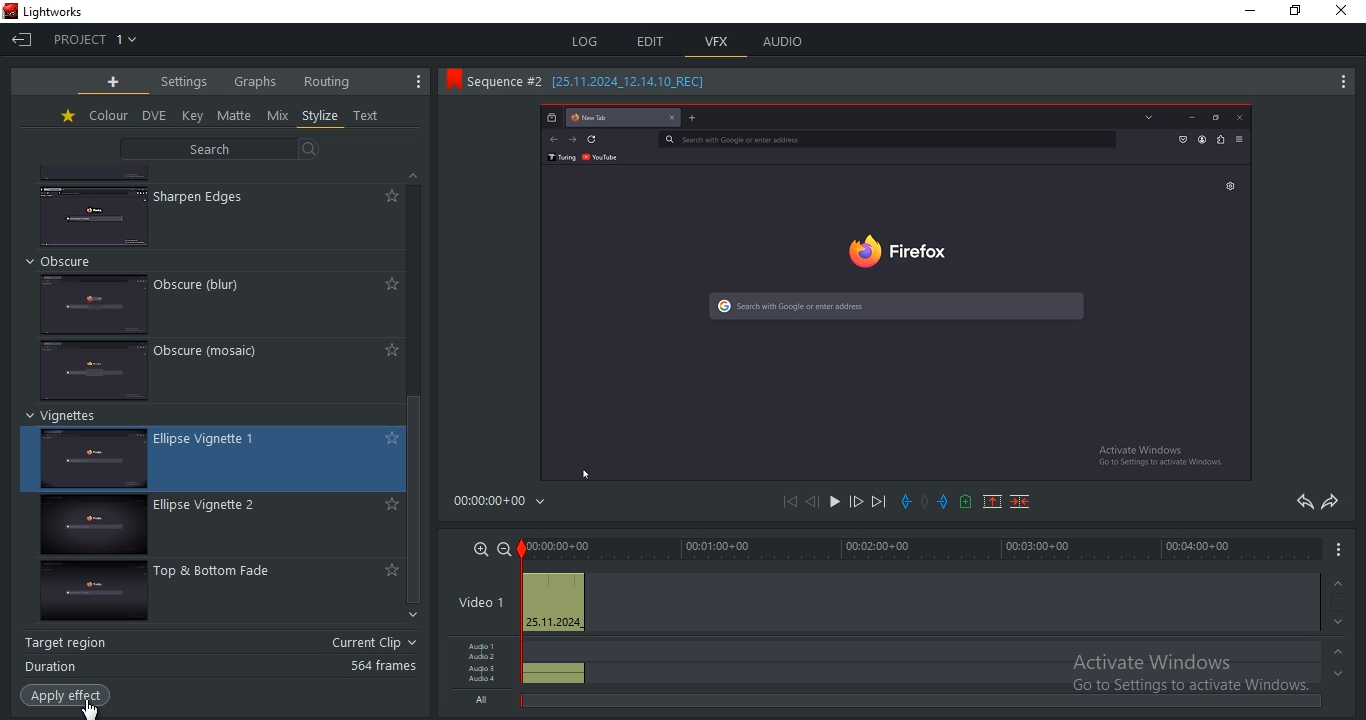 This screenshot has width=1366, height=720. What do you see at coordinates (236, 115) in the screenshot?
I see `matte` at bounding box center [236, 115].